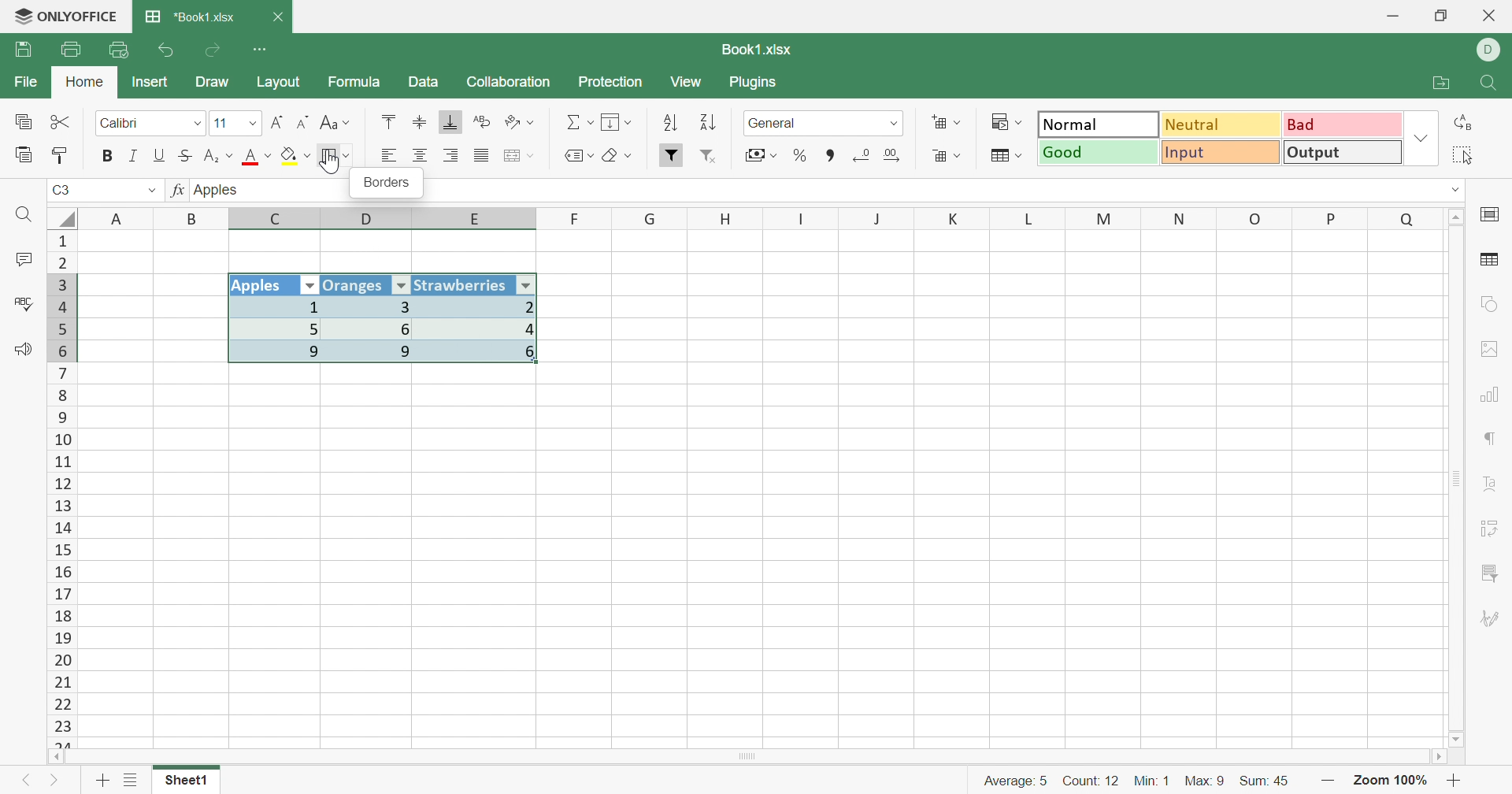 The image size is (1512, 794). I want to click on Copy, so click(22, 123).